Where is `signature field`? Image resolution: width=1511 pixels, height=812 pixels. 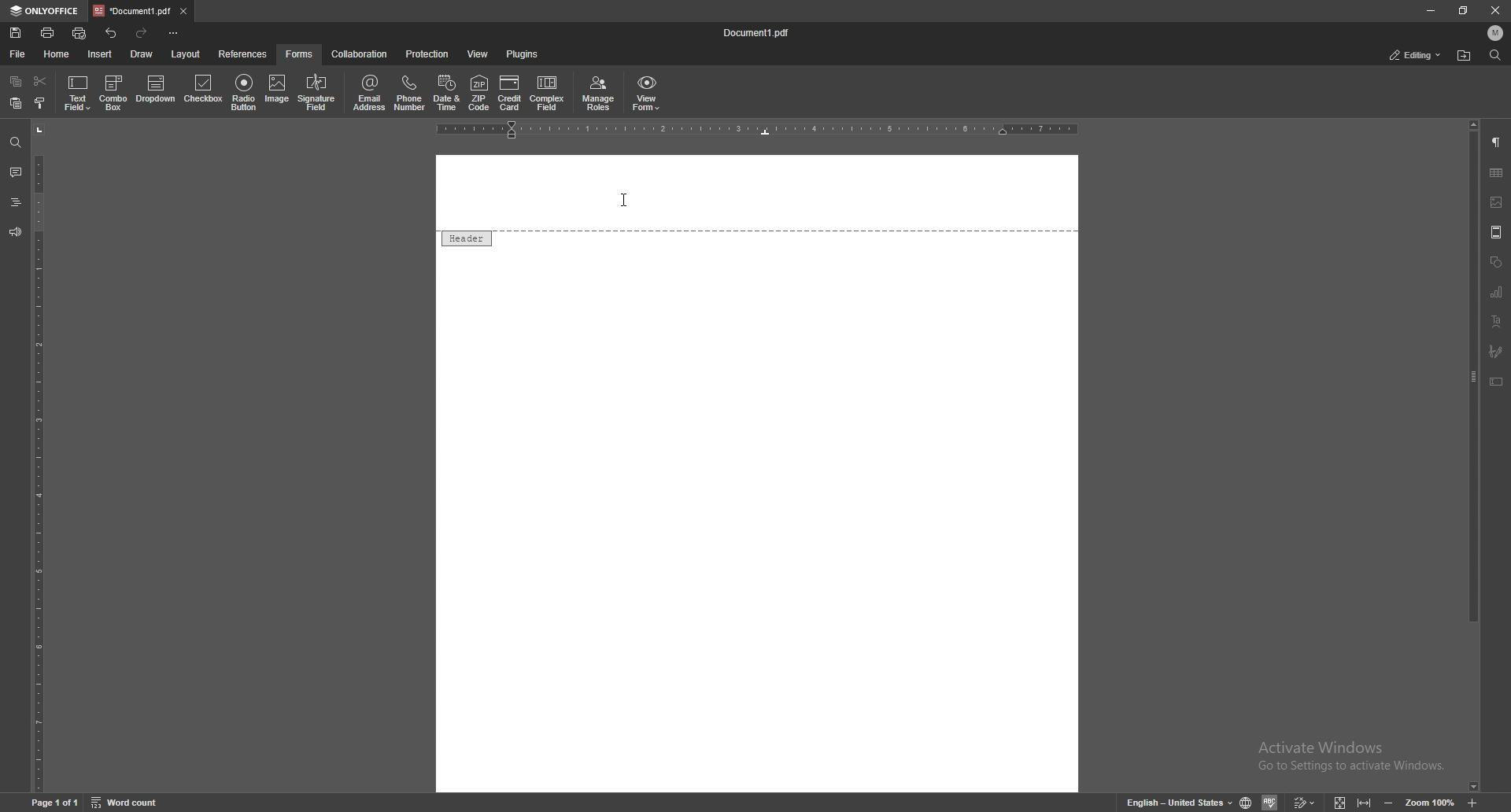 signature field is located at coordinates (1496, 352).